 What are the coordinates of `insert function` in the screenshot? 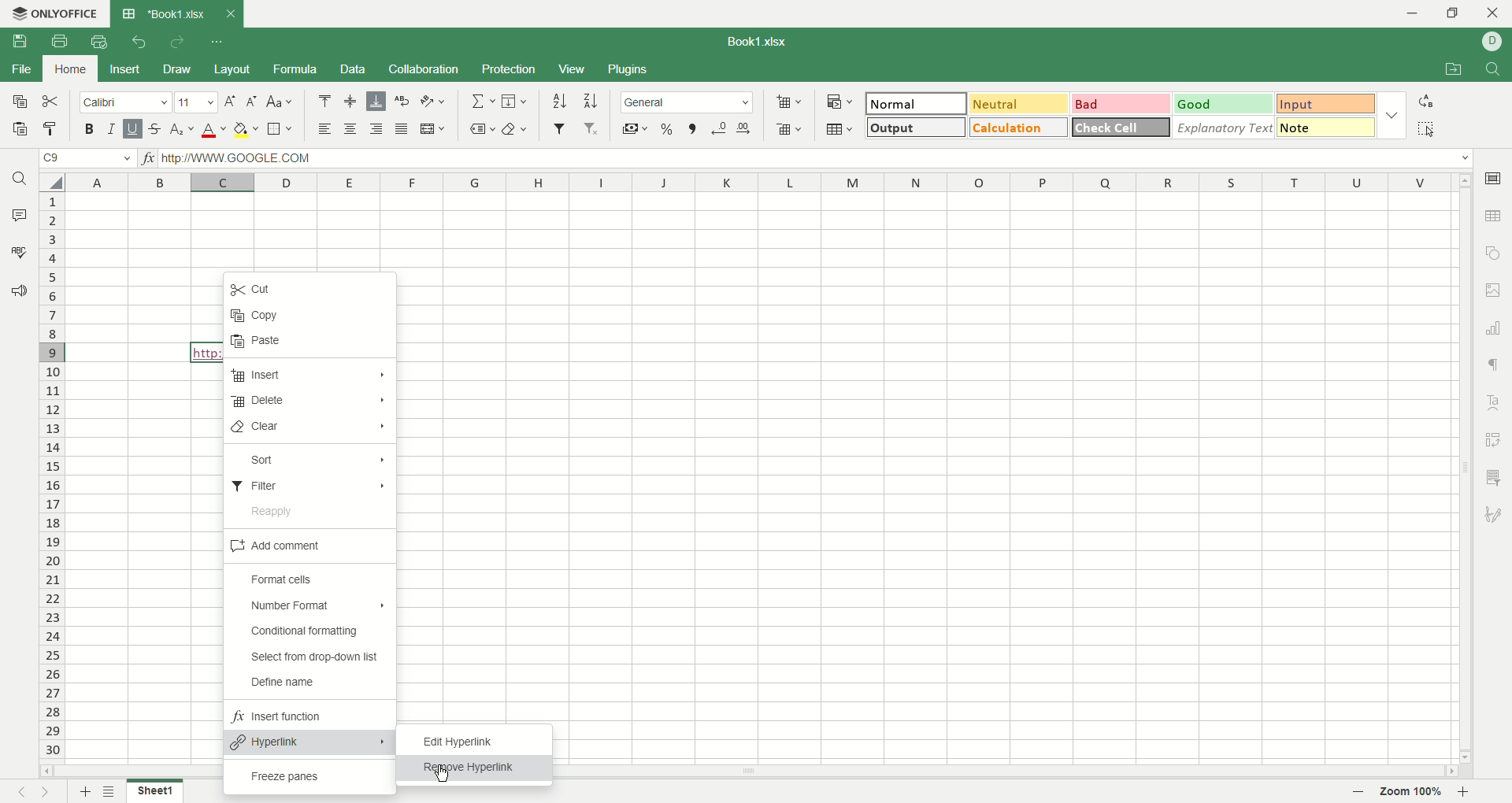 It's located at (149, 159).